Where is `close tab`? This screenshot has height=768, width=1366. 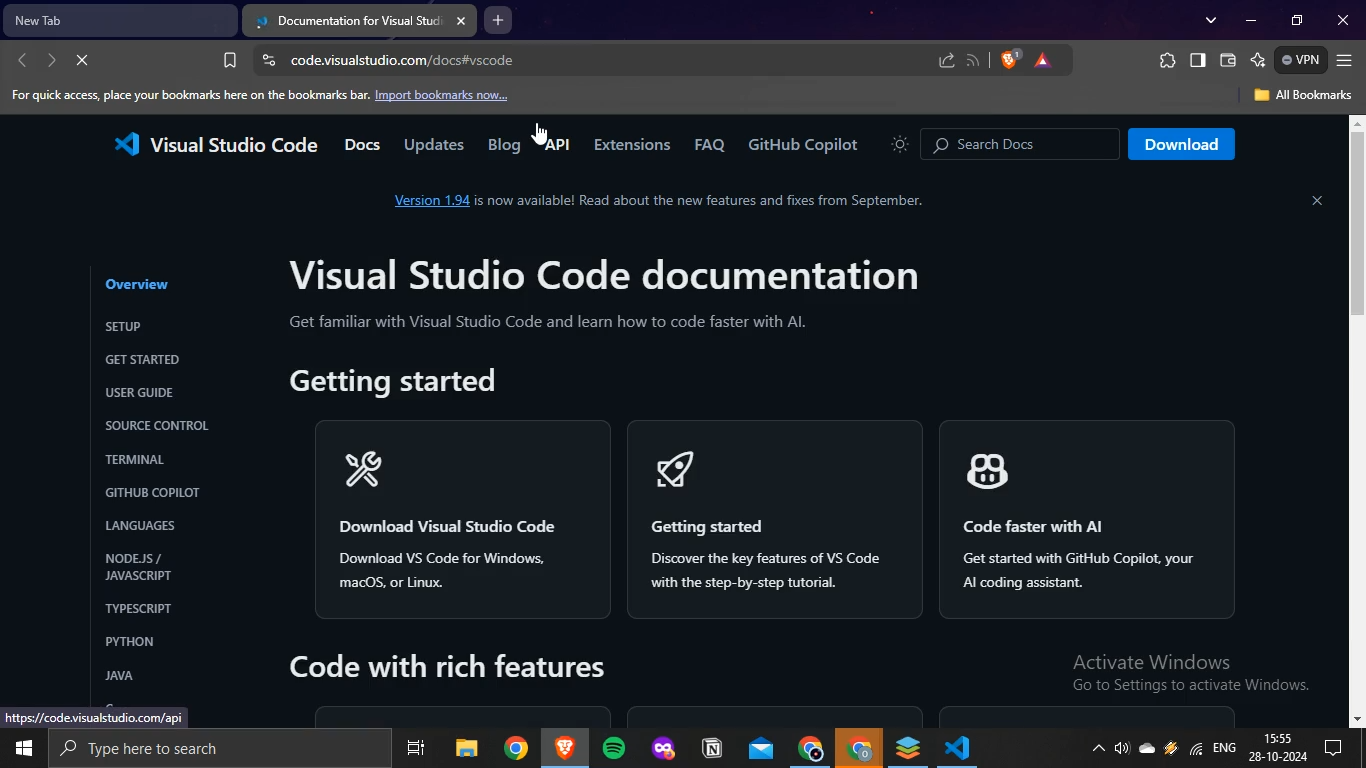
close tab is located at coordinates (461, 20).